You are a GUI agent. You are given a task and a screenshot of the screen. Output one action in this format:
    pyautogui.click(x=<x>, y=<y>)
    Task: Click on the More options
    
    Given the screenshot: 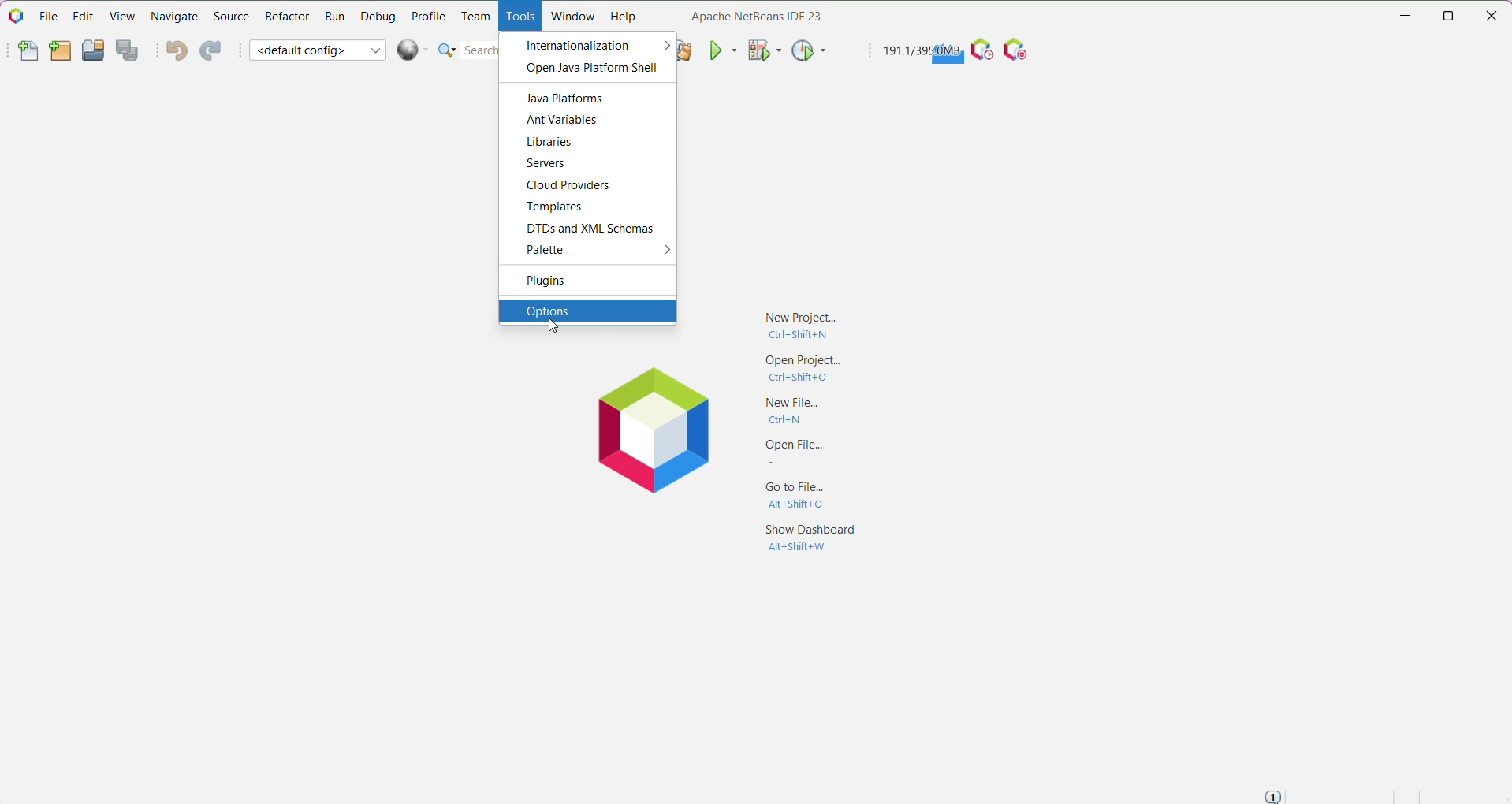 What is the action you would take?
    pyautogui.click(x=661, y=251)
    